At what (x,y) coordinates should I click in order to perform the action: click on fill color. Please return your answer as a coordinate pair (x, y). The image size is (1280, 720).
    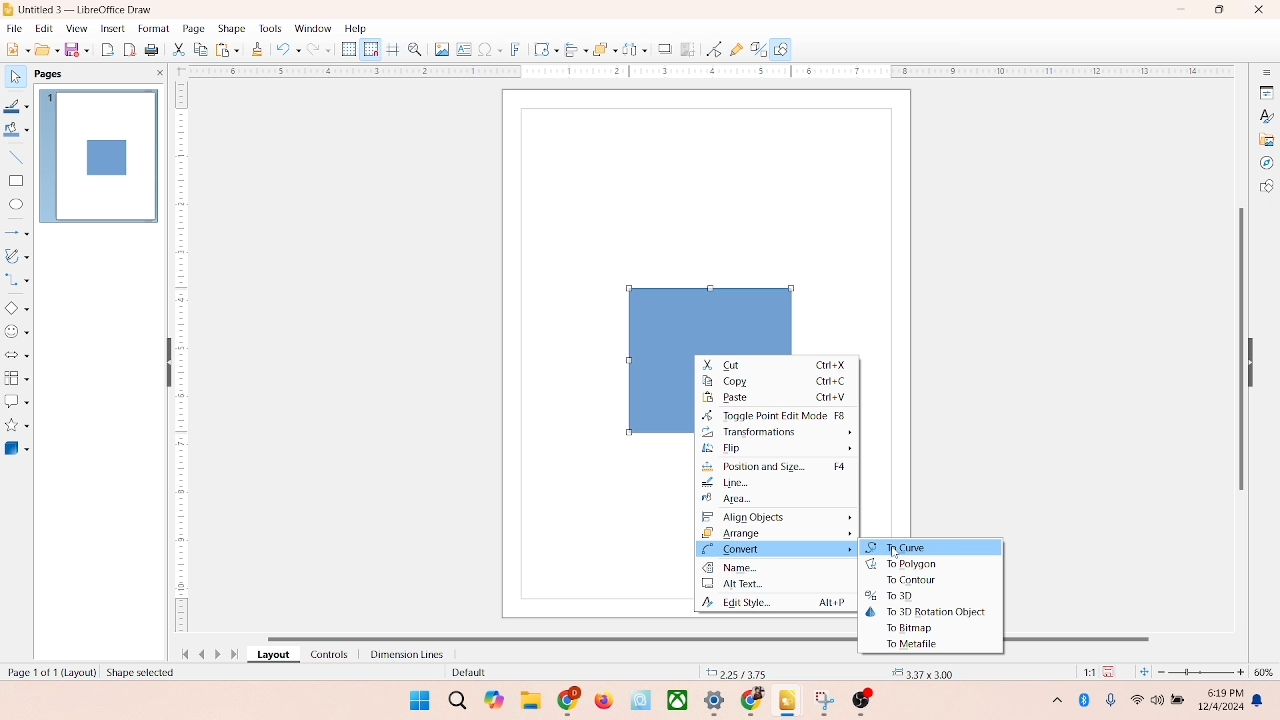
    Looking at the image, I should click on (16, 133).